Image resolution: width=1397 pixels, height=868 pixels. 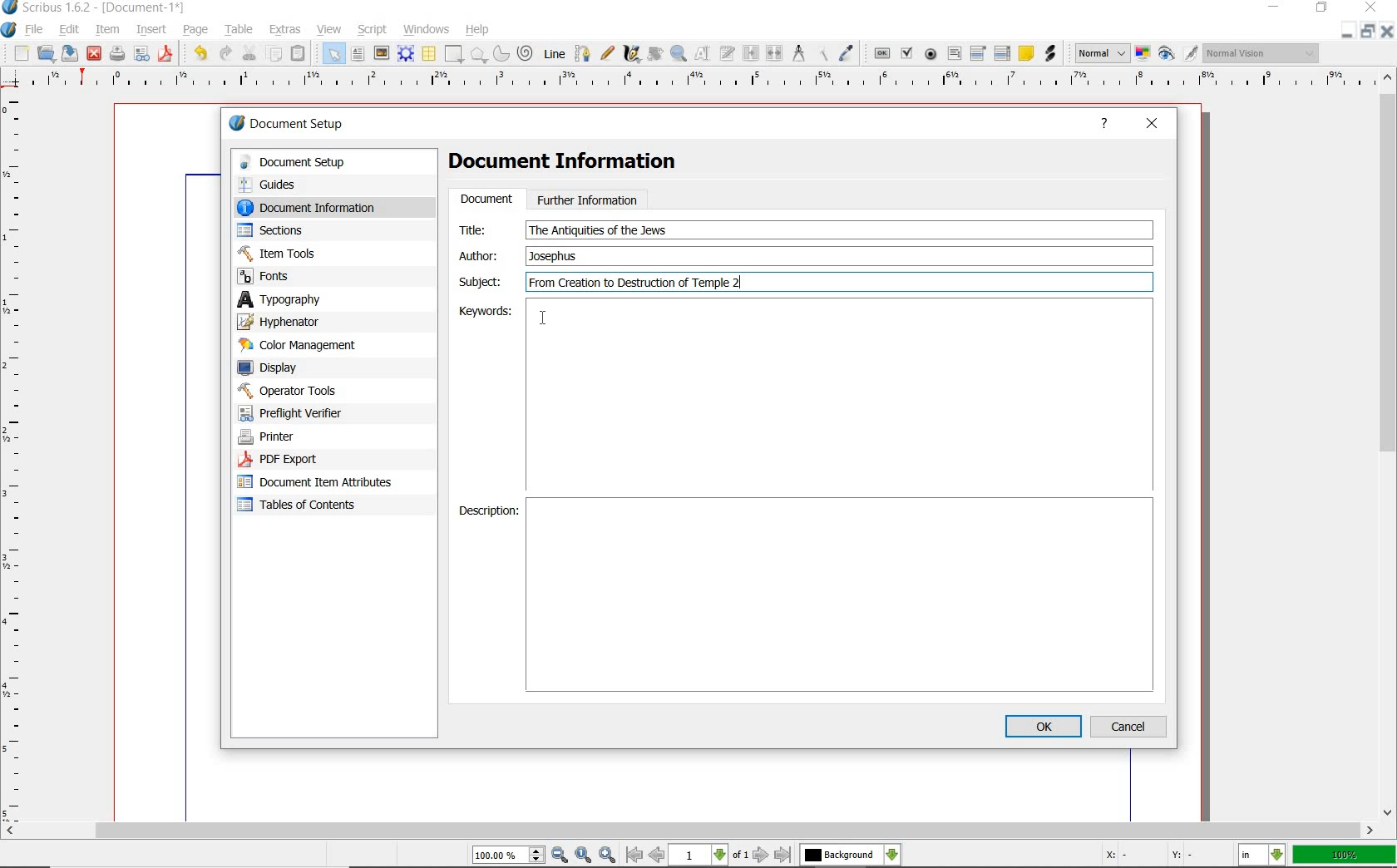 What do you see at coordinates (318, 184) in the screenshot?
I see `guides` at bounding box center [318, 184].